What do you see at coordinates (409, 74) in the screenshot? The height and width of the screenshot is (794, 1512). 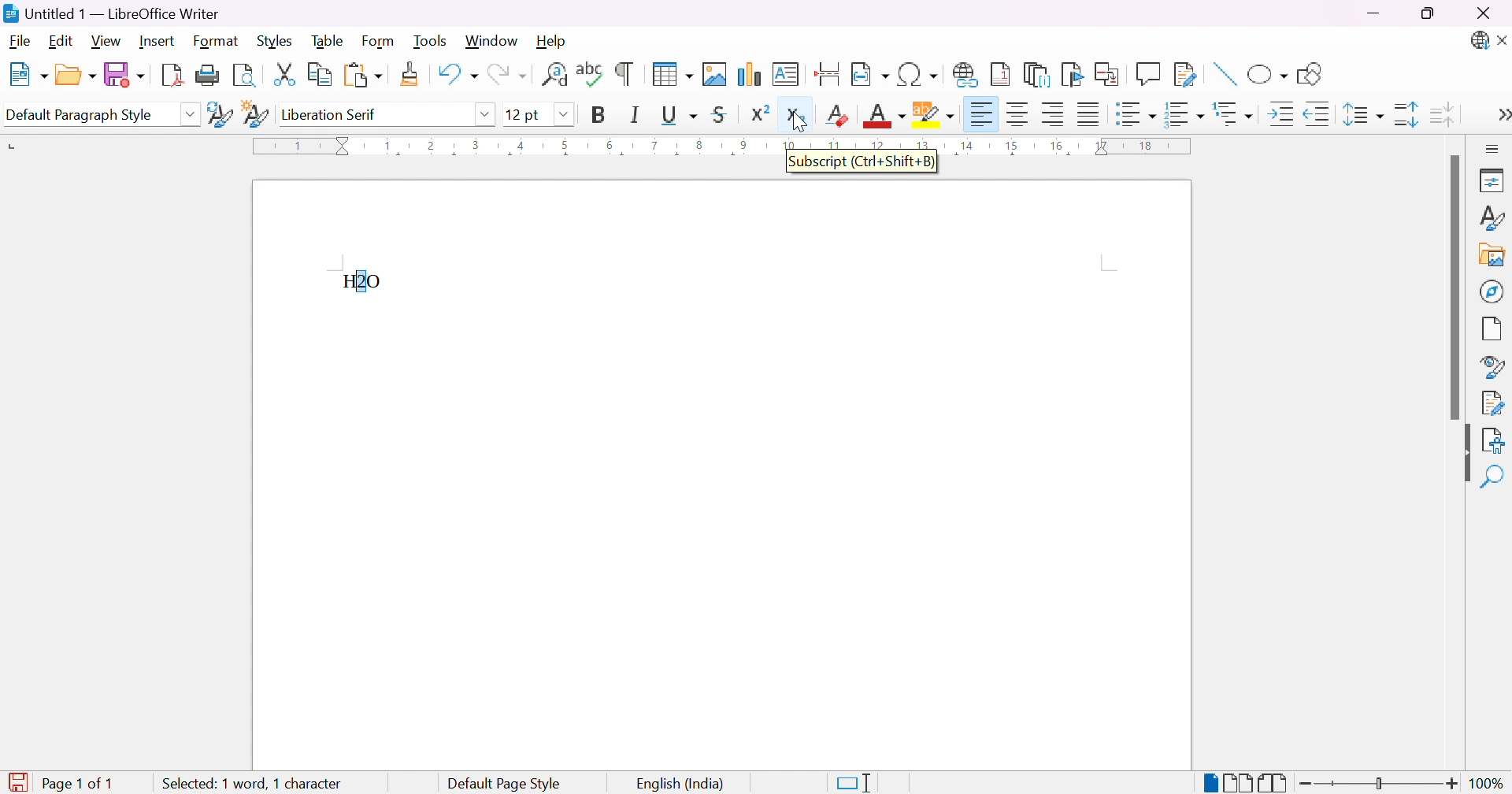 I see `` at bounding box center [409, 74].